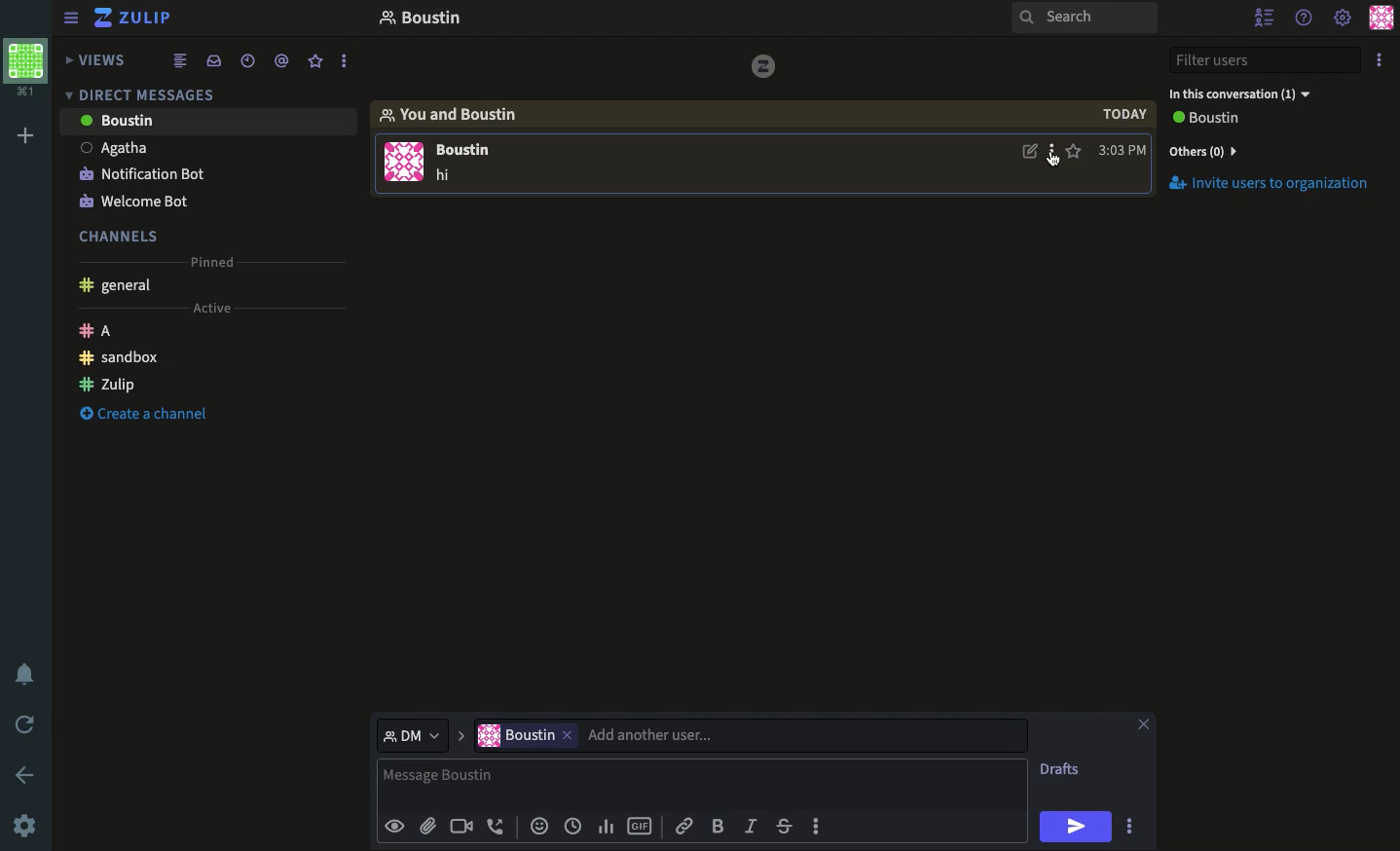  What do you see at coordinates (1273, 150) in the screenshot?
I see `Invite users to organization` at bounding box center [1273, 150].